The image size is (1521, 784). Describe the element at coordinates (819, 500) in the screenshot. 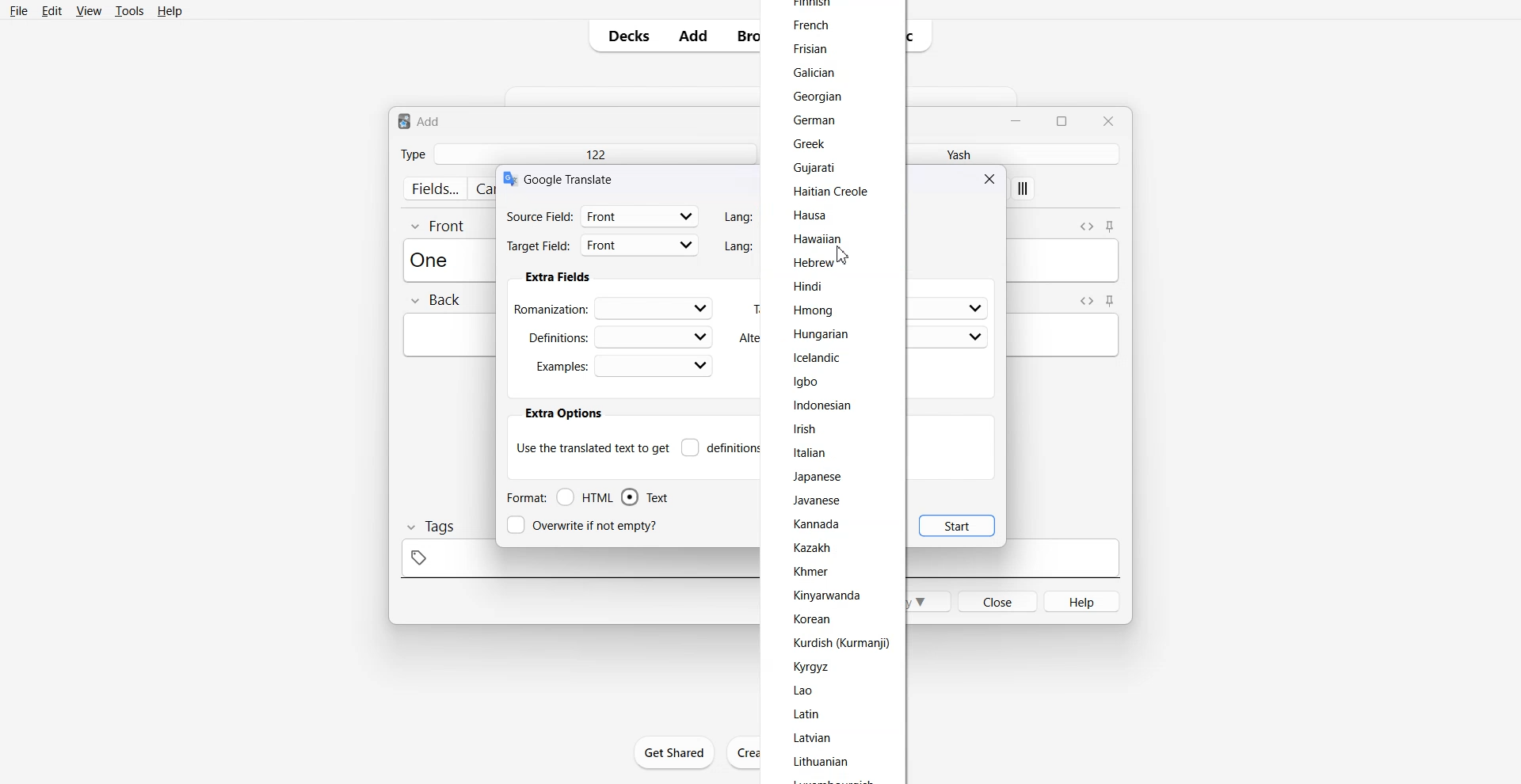

I see `Javanese` at that location.